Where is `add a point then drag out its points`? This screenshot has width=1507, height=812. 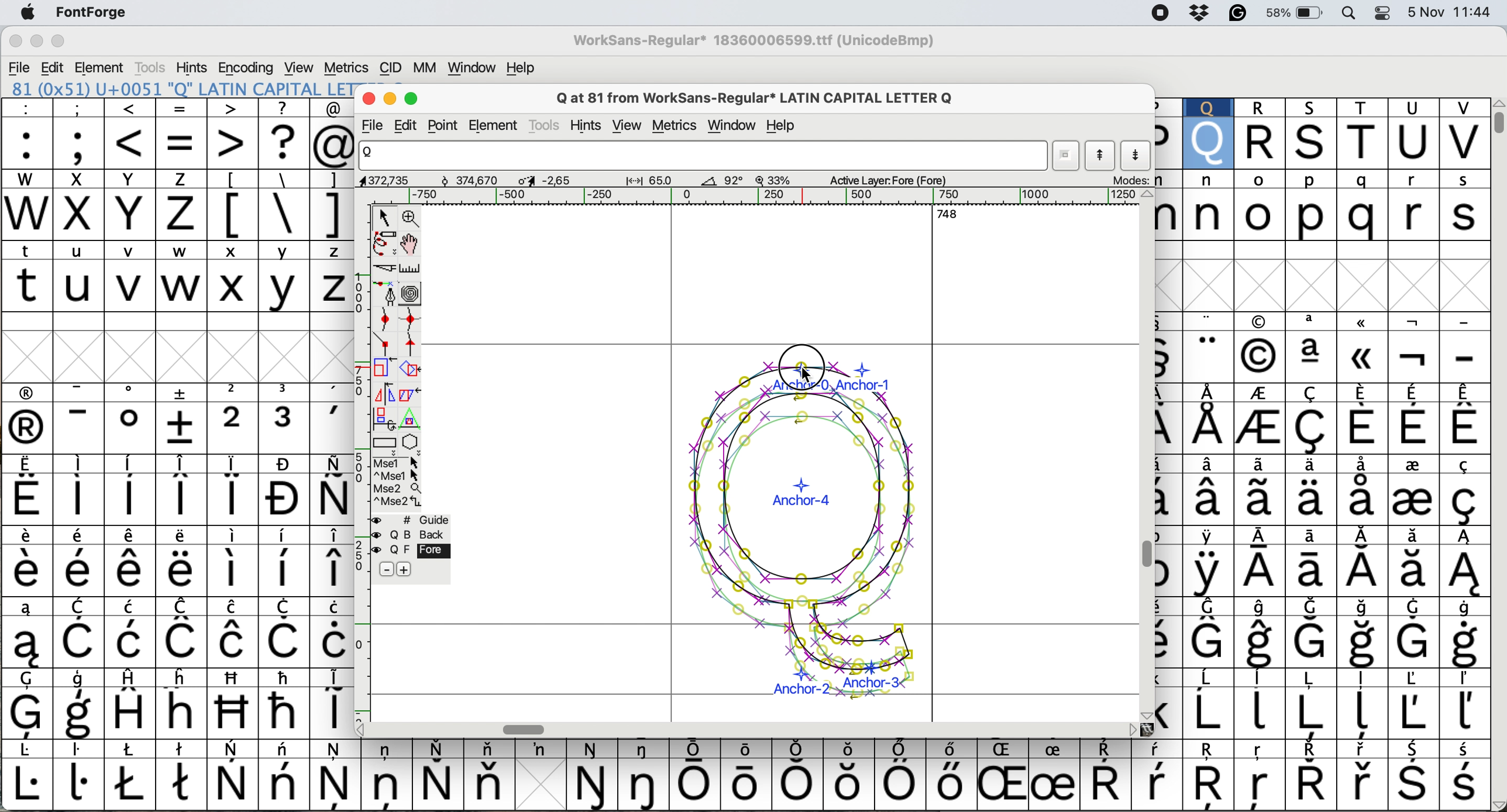 add a point then drag out its points is located at coordinates (384, 295).